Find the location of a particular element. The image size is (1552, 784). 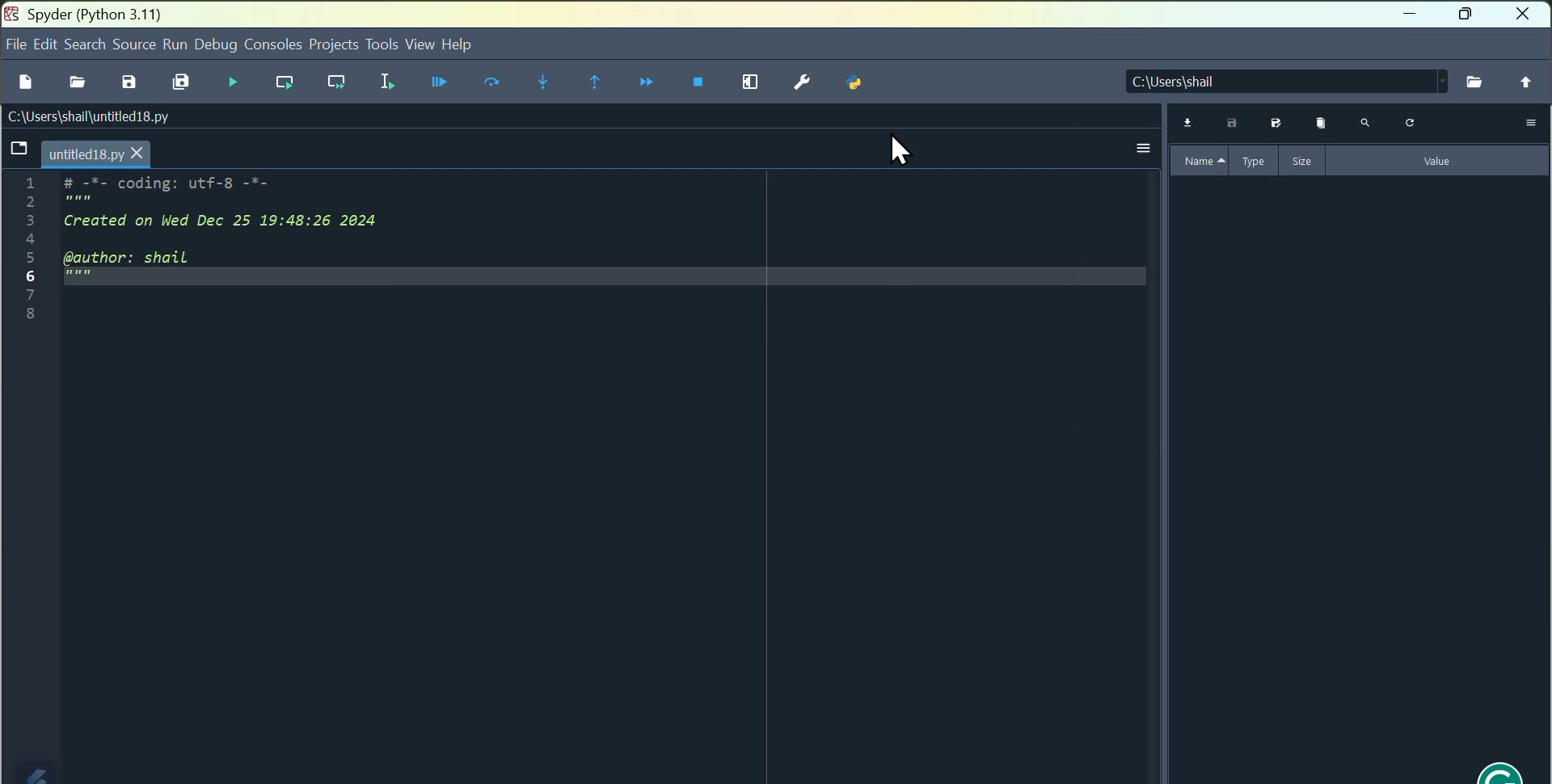

More options is located at coordinates (1529, 123).